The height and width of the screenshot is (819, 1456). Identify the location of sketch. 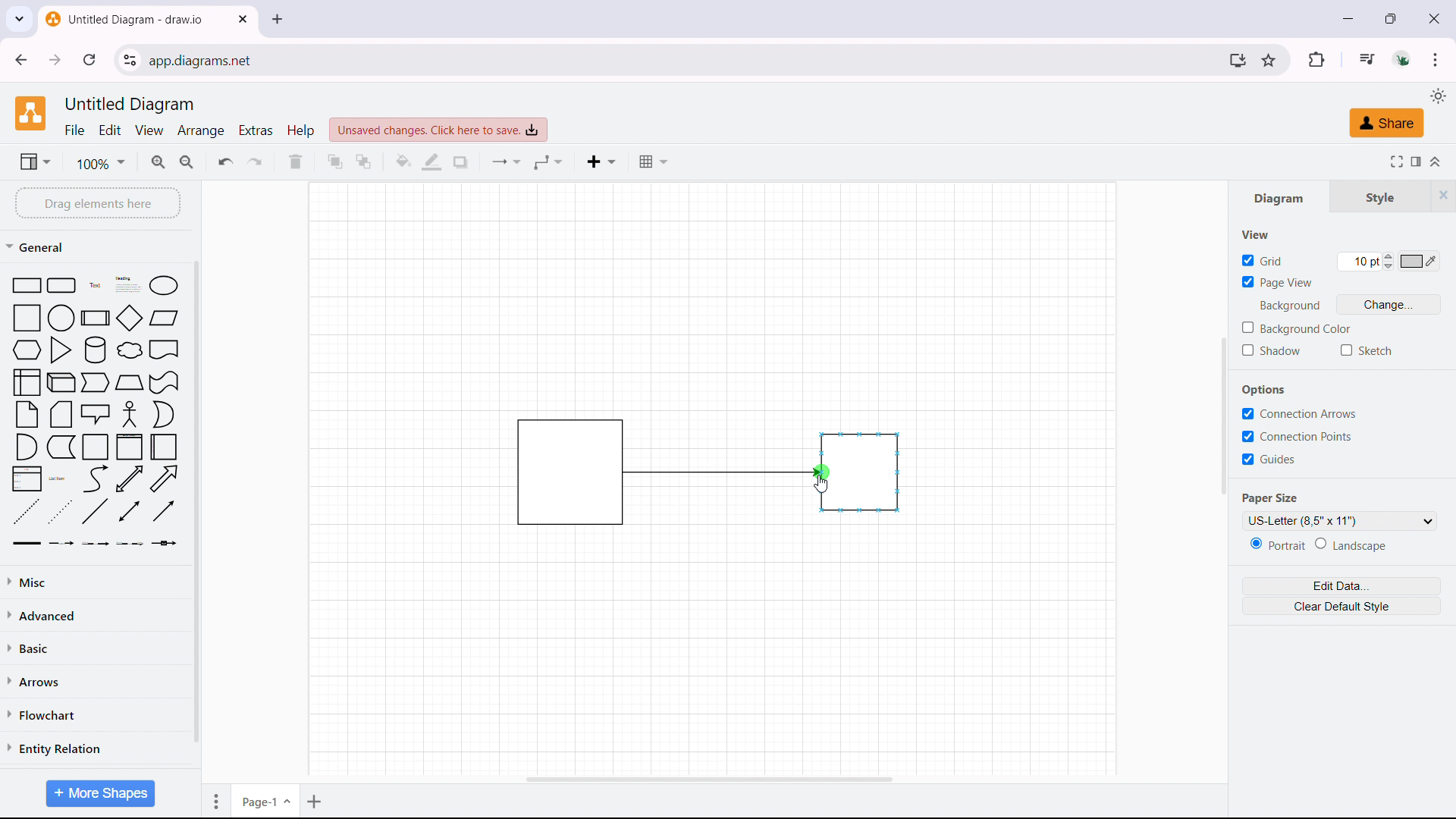
(1368, 350).